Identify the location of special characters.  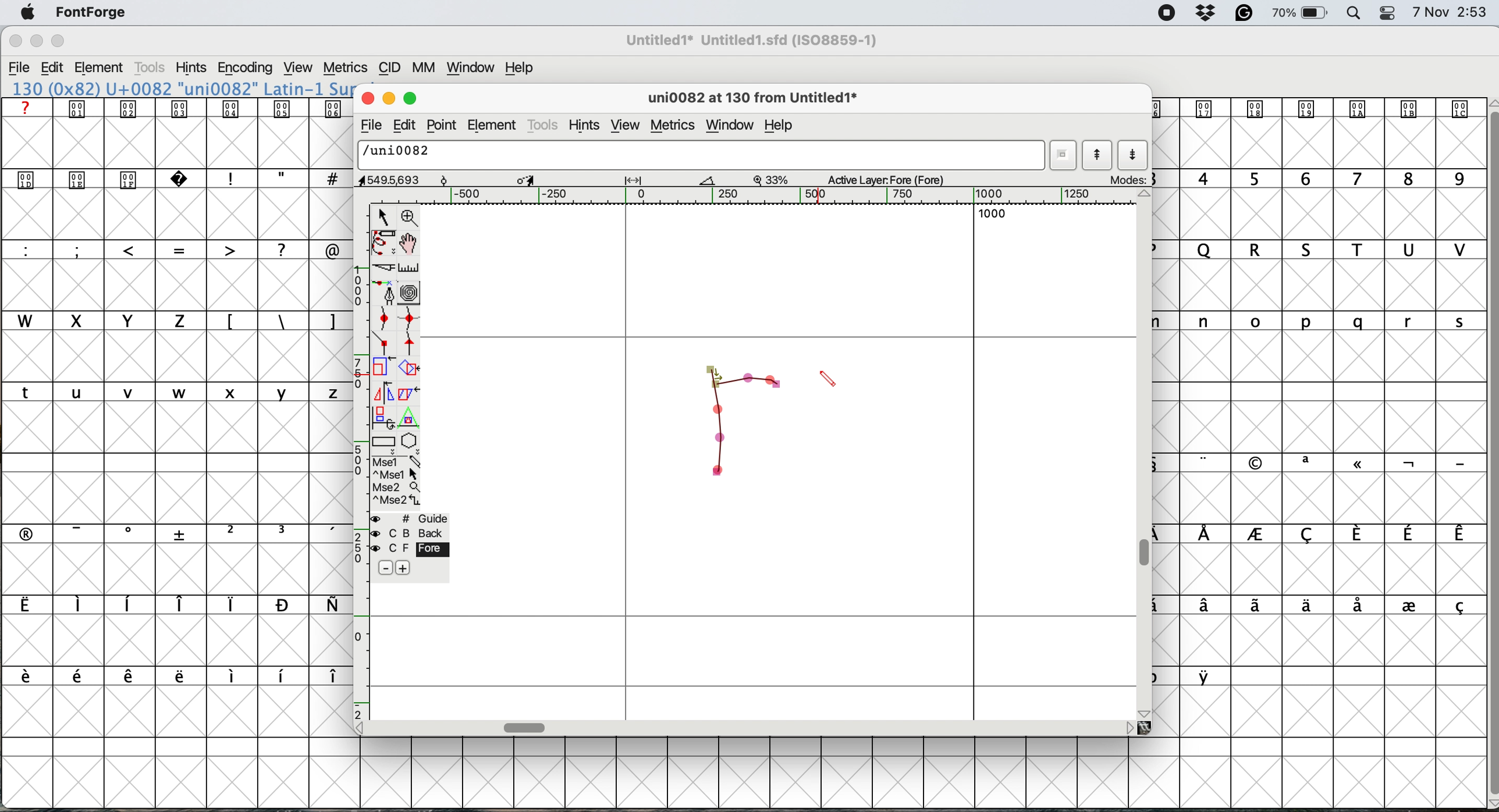
(1319, 606).